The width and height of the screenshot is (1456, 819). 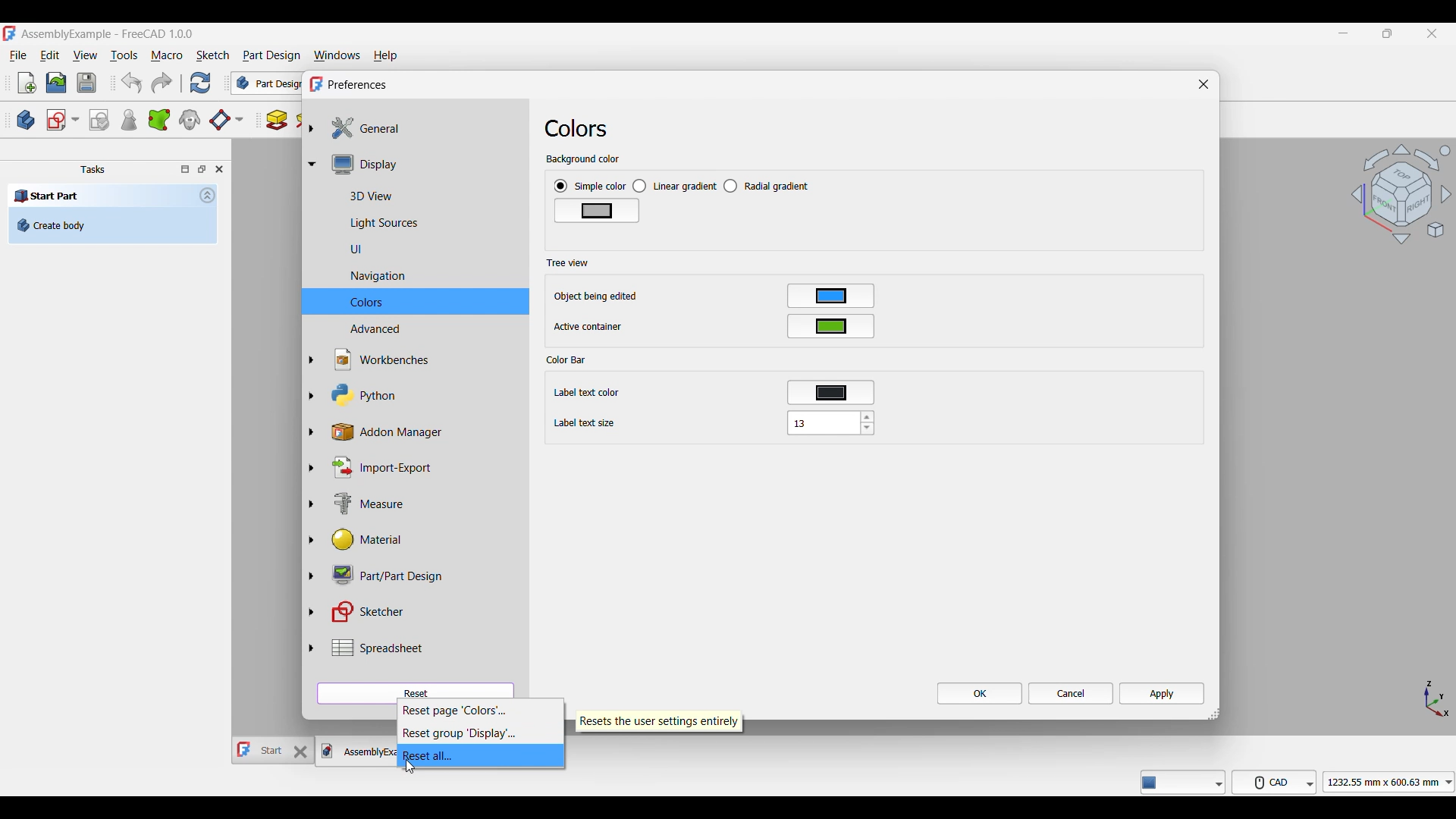 What do you see at coordinates (162, 83) in the screenshot?
I see `Redo` at bounding box center [162, 83].